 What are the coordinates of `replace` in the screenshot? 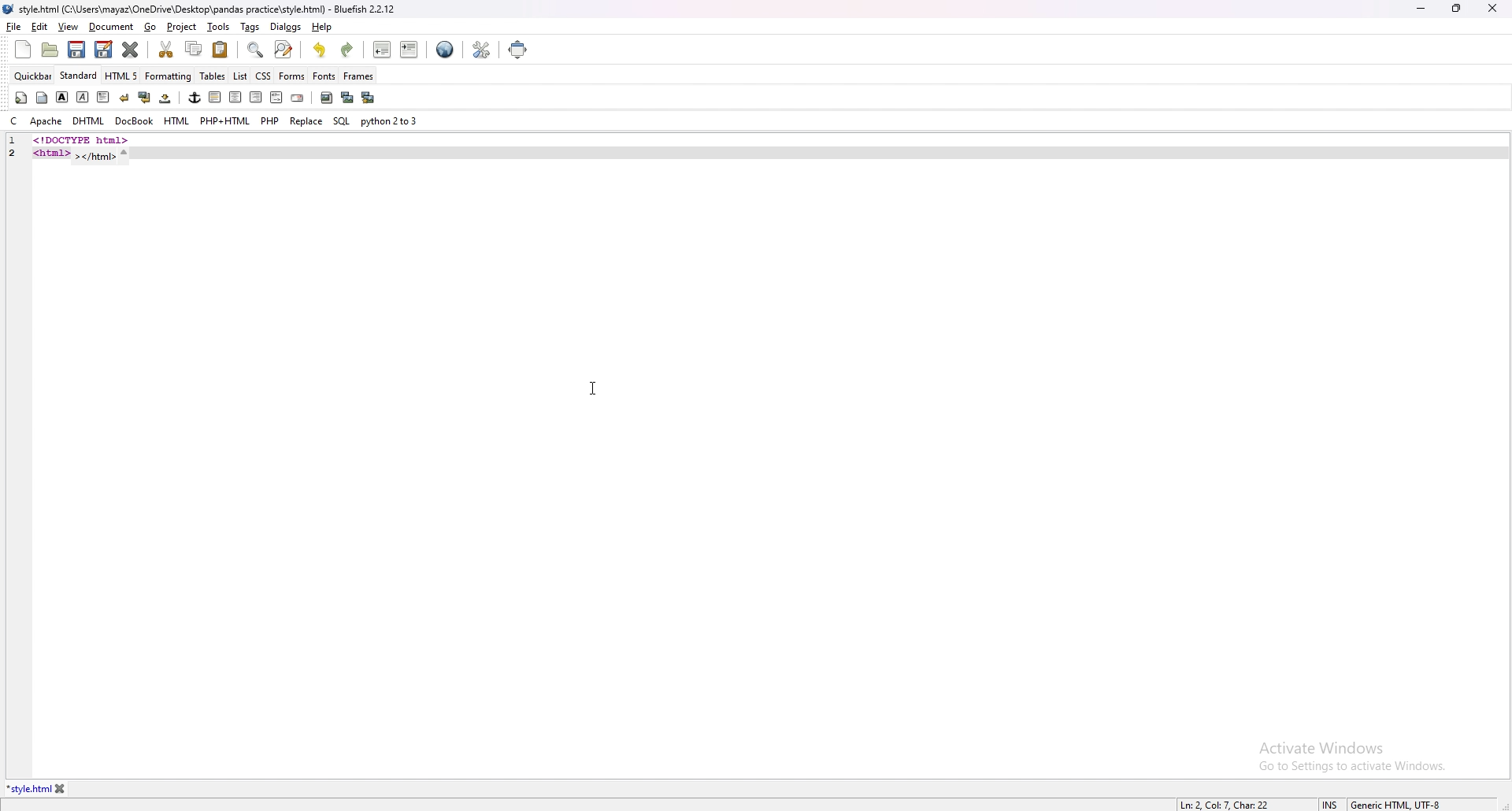 It's located at (306, 120).